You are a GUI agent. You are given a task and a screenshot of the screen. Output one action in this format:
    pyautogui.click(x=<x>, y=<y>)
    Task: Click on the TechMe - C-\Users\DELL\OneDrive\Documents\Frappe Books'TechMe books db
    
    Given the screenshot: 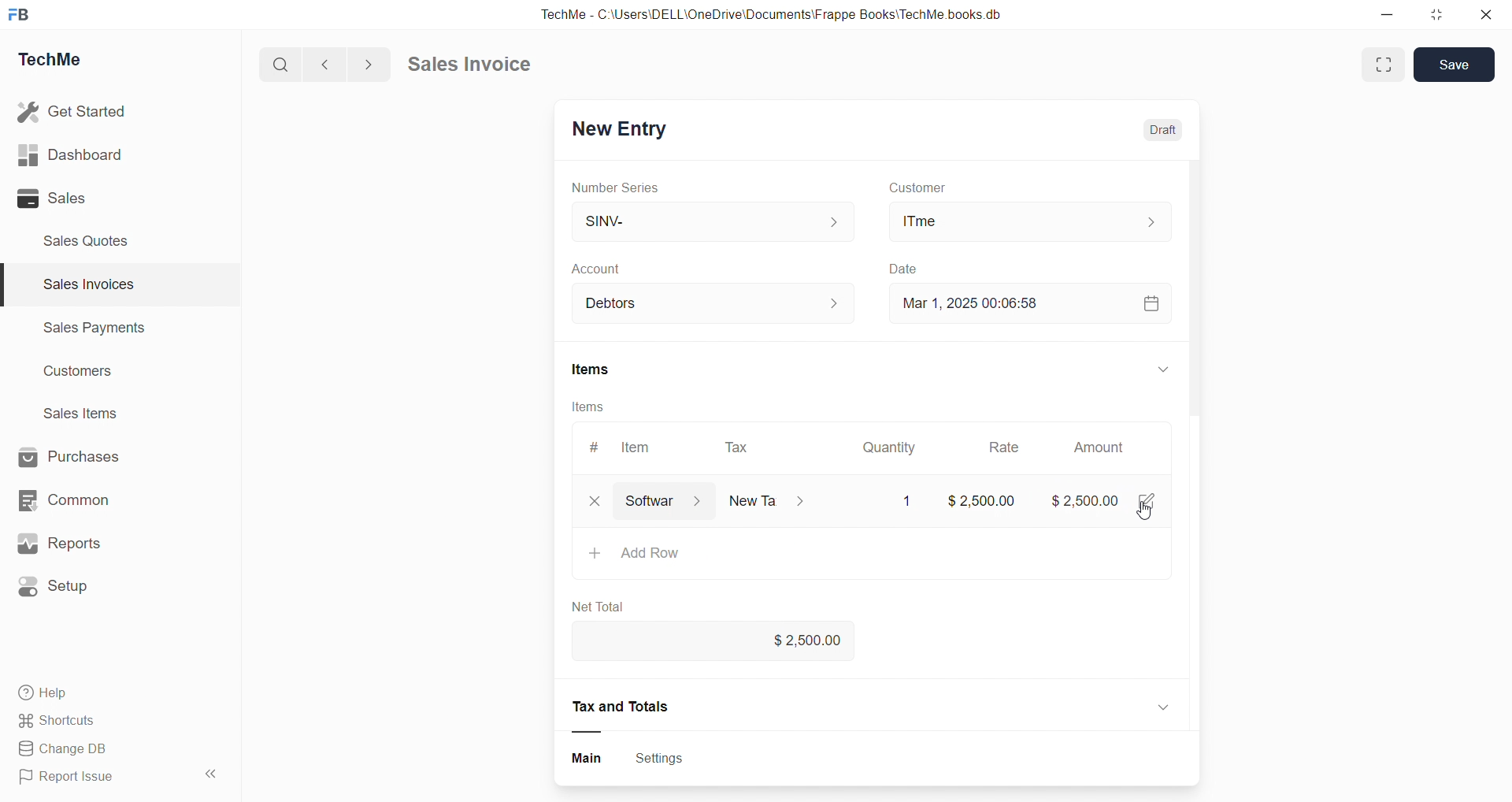 What is the action you would take?
    pyautogui.click(x=787, y=12)
    